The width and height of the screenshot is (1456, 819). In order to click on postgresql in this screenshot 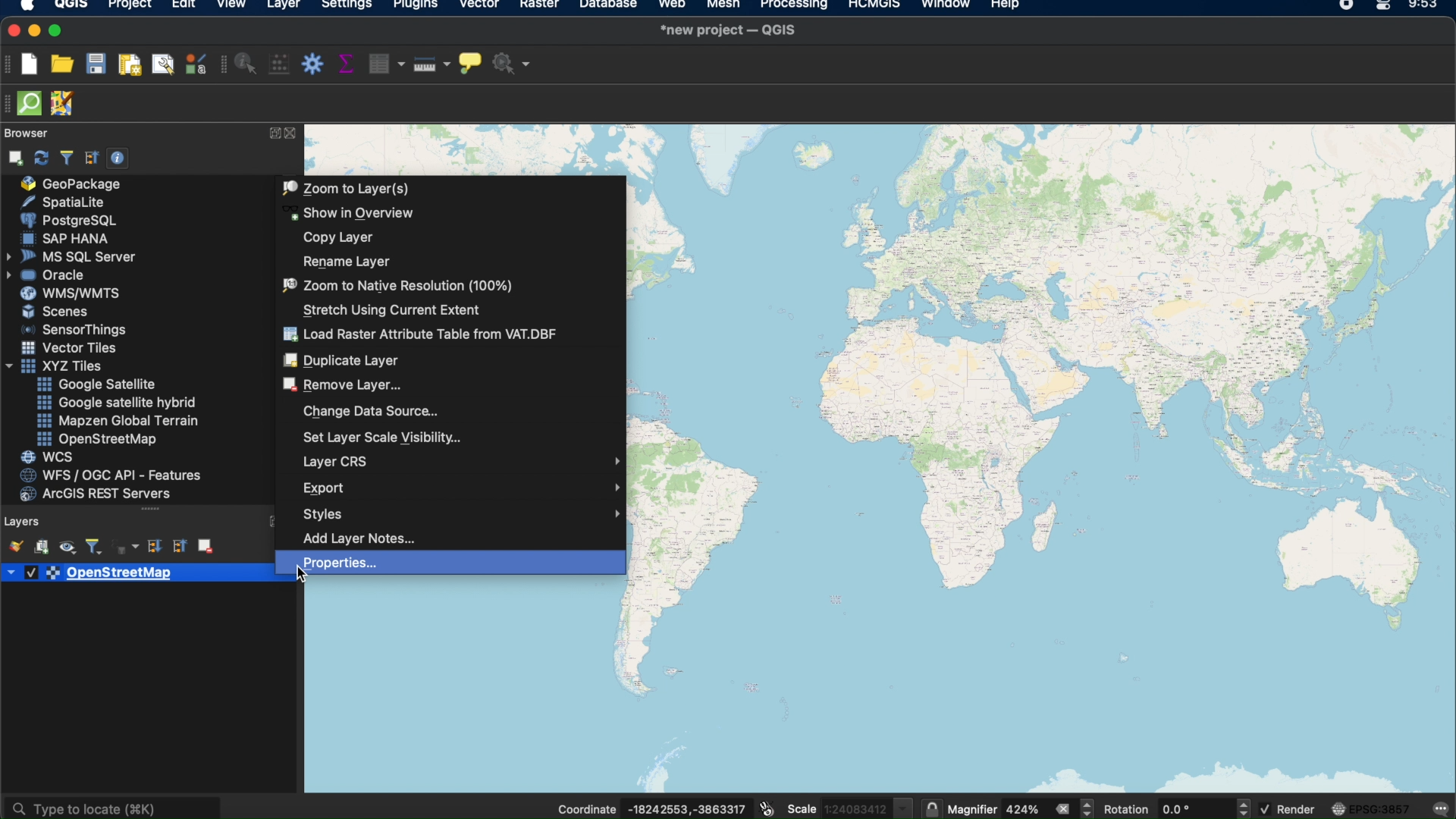, I will do `click(67, 219)`.